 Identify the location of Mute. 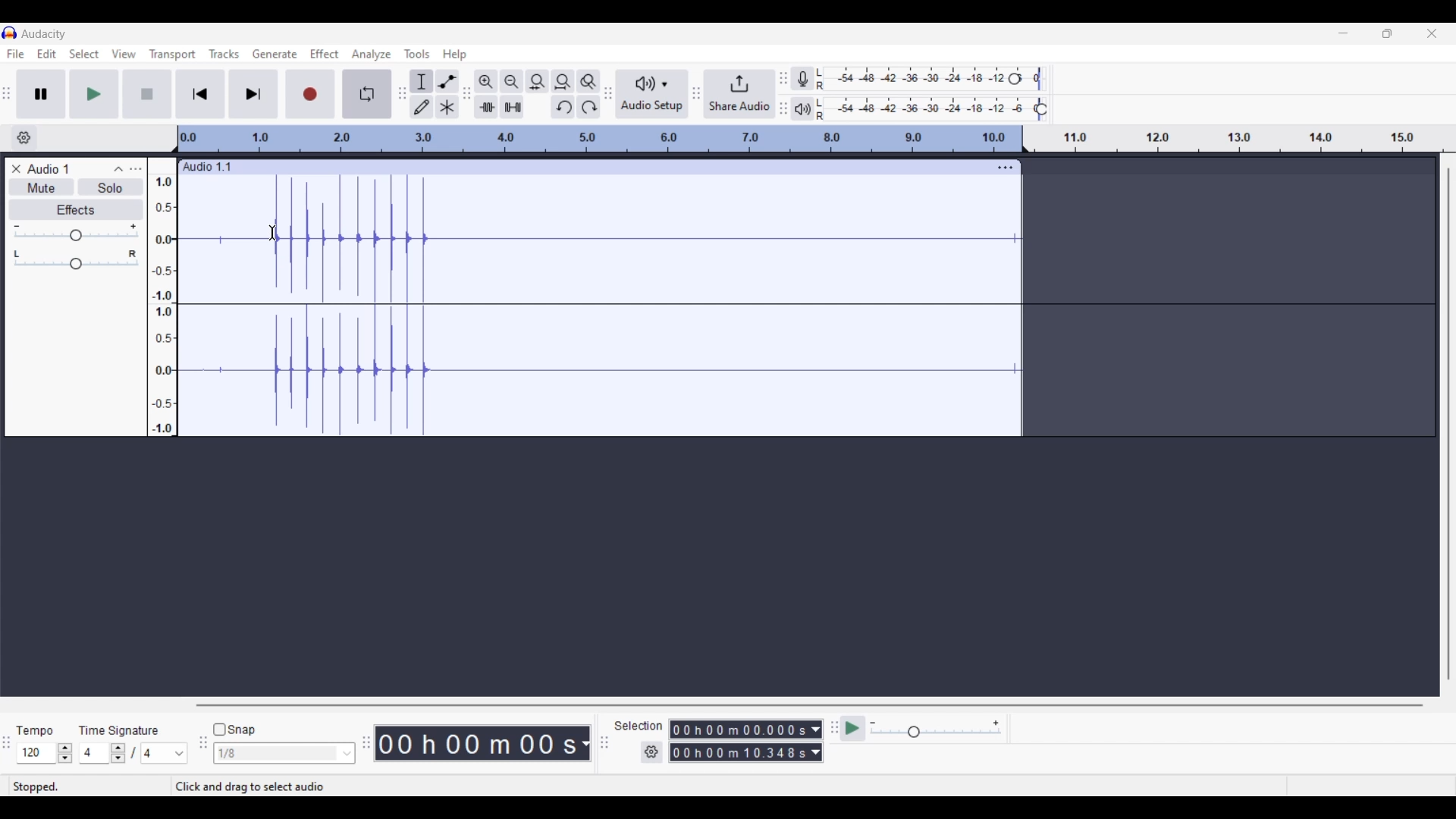
(41, 187).